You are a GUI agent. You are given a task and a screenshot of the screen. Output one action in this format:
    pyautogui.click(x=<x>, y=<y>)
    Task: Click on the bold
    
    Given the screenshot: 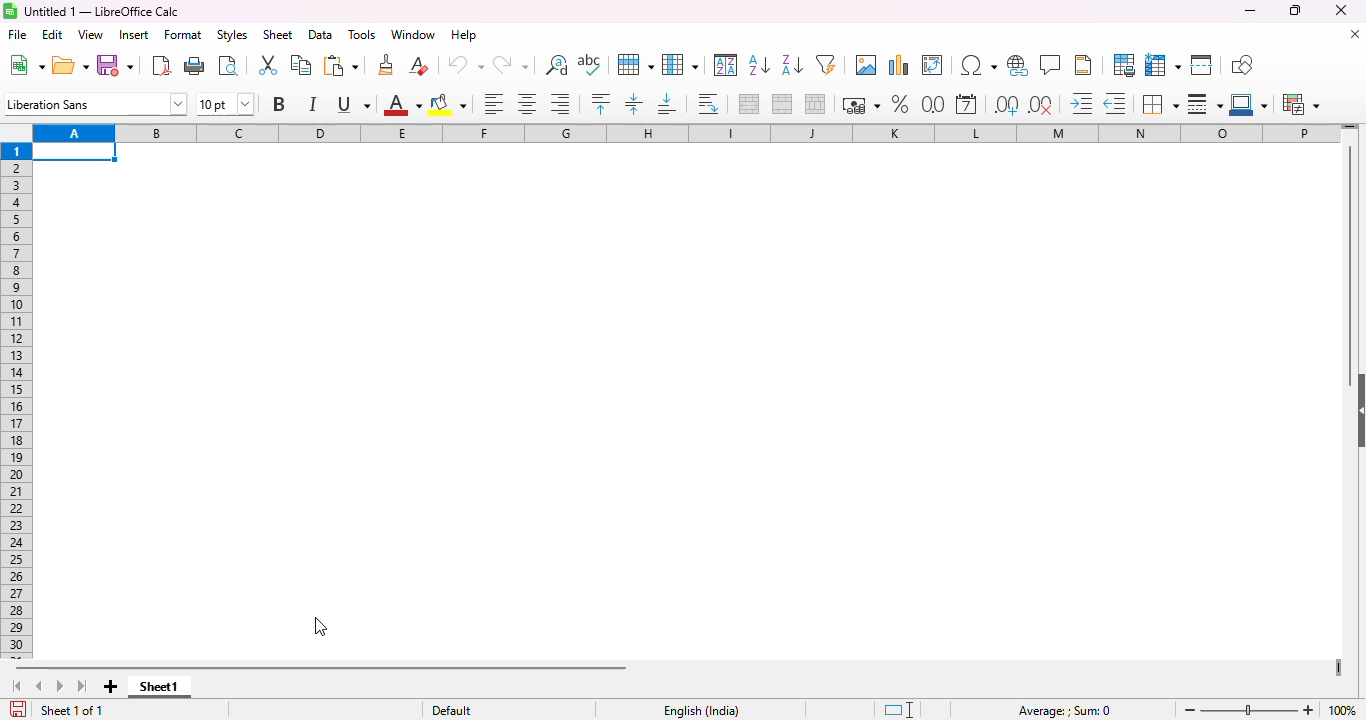 What is the action you would take?
    pyautogui.click(x=279, y=103)
    